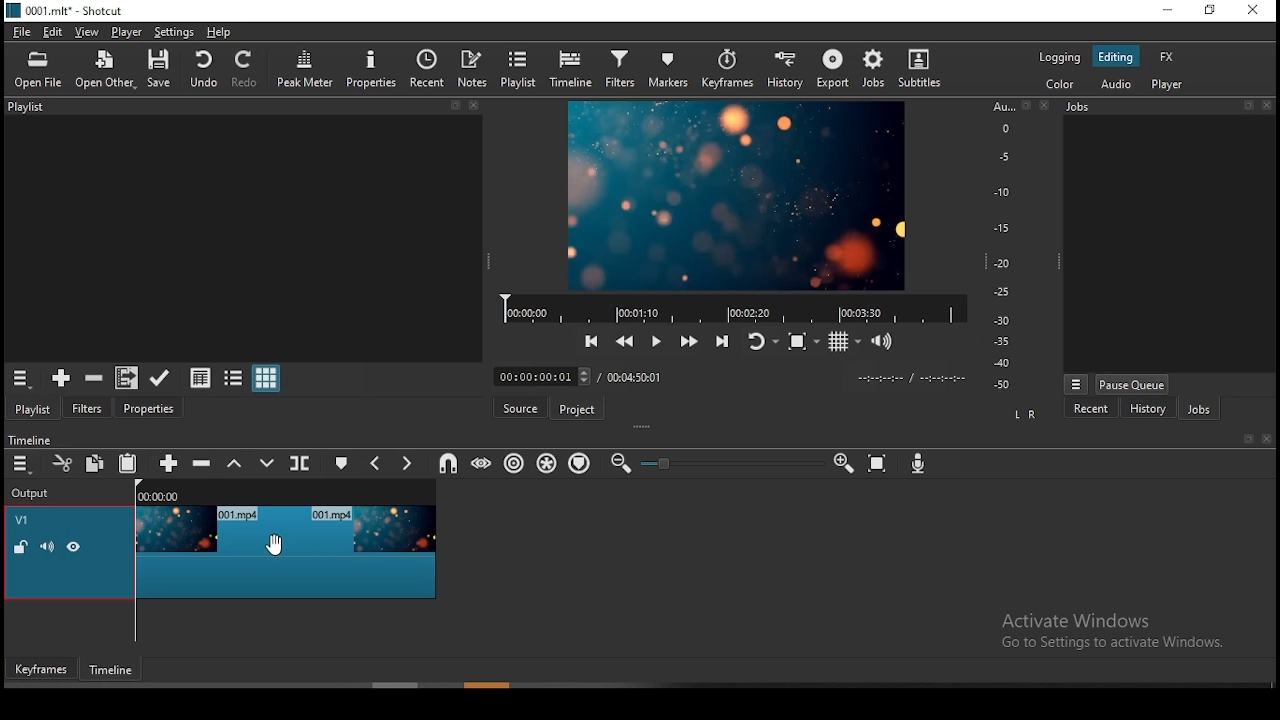  What do you see at coordinates (232, 378) in the screenshot?
I see `view as tiles` at bounding box center [232, 378].